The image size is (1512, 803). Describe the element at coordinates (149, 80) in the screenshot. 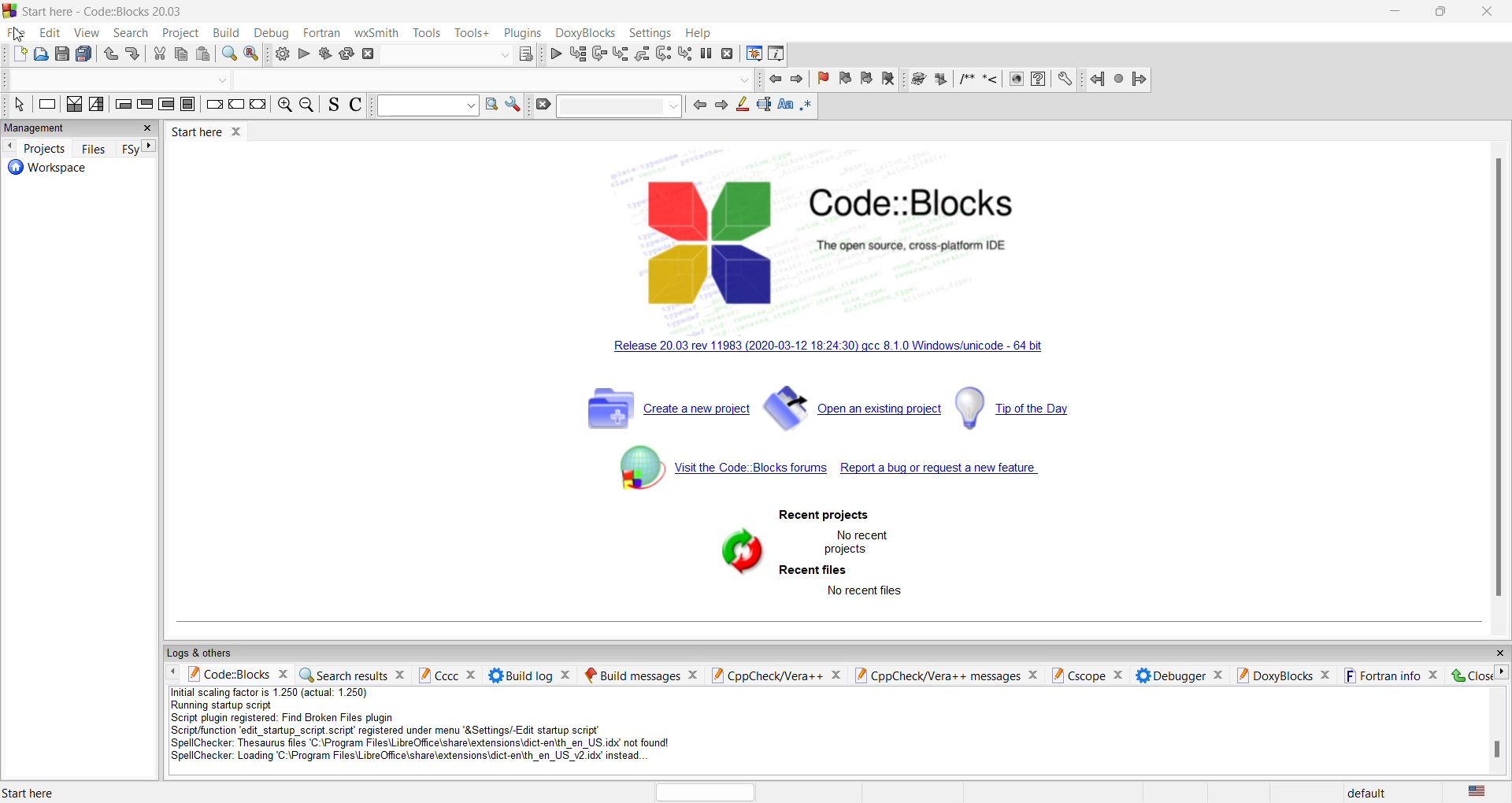

I see `search` at that location.